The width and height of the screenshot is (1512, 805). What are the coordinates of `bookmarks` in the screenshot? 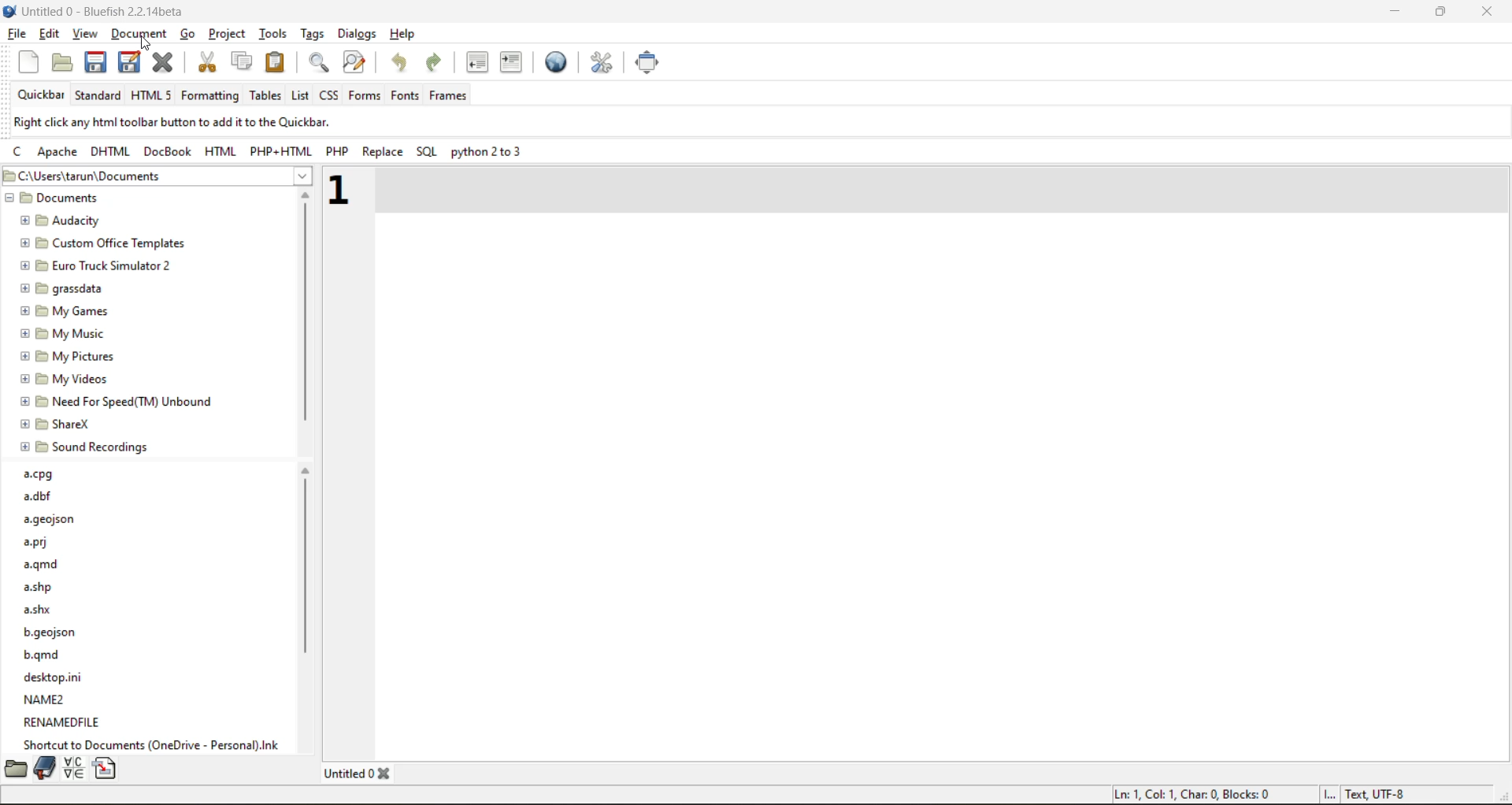 It's located at (46, 768).